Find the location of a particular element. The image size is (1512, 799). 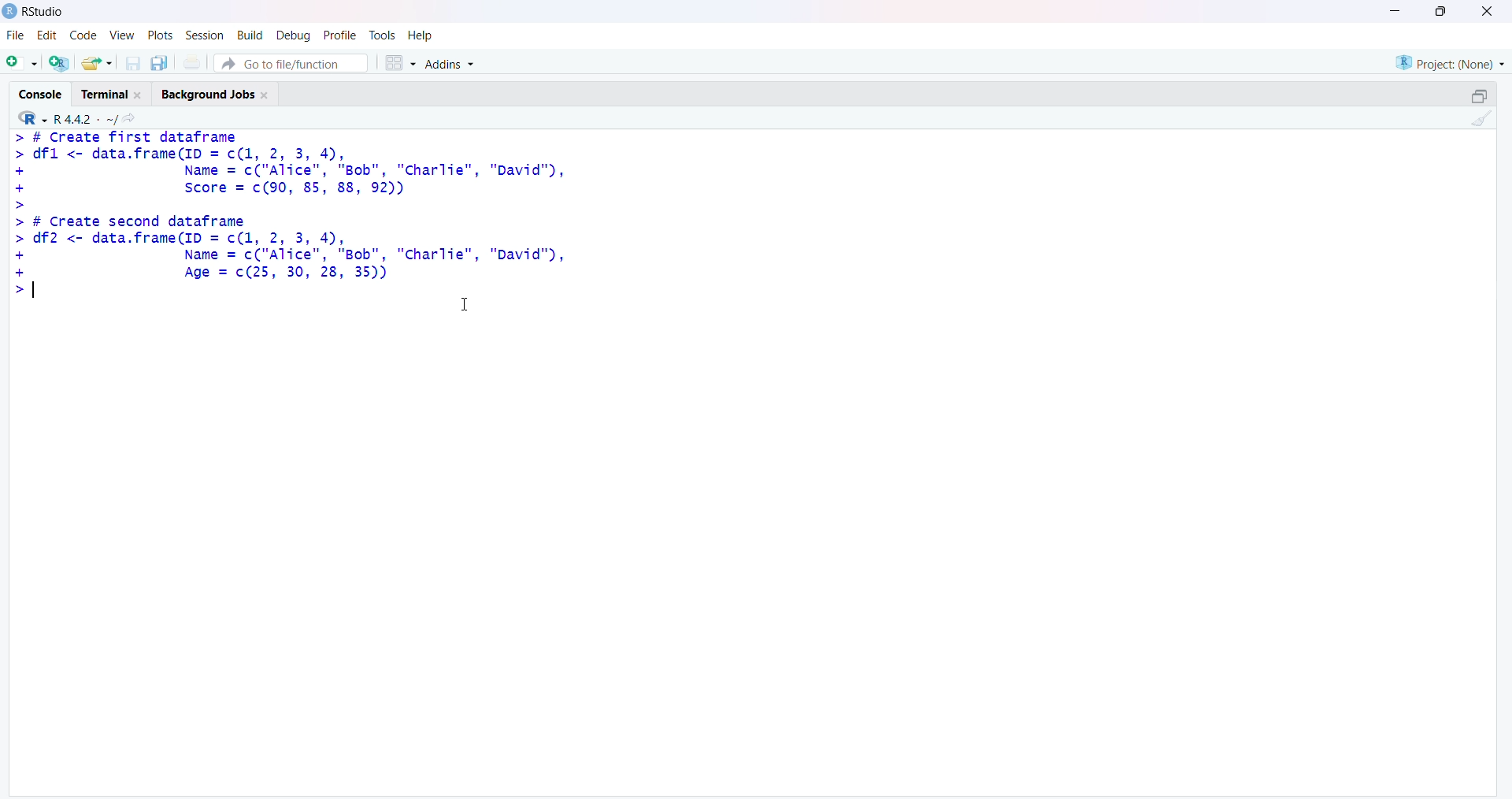

grid is located at coordinates (401, 63).